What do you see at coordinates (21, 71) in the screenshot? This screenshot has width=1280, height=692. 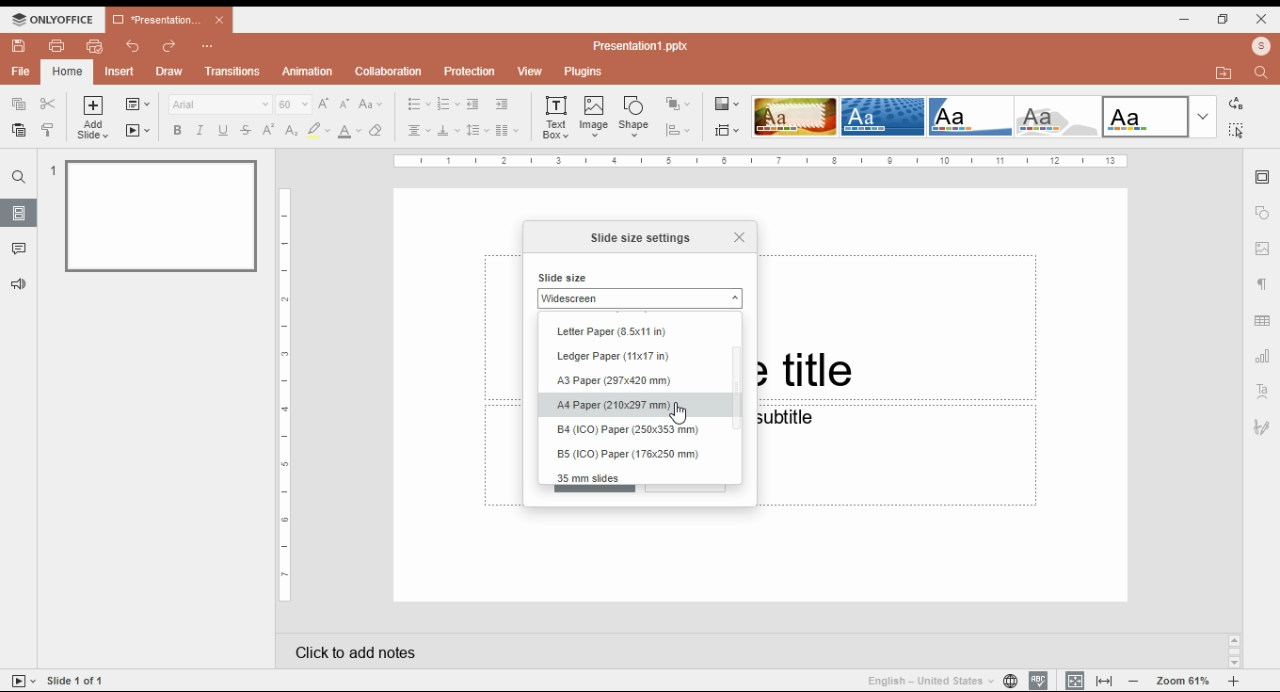 I see `file` at bounding box center [21, 71].